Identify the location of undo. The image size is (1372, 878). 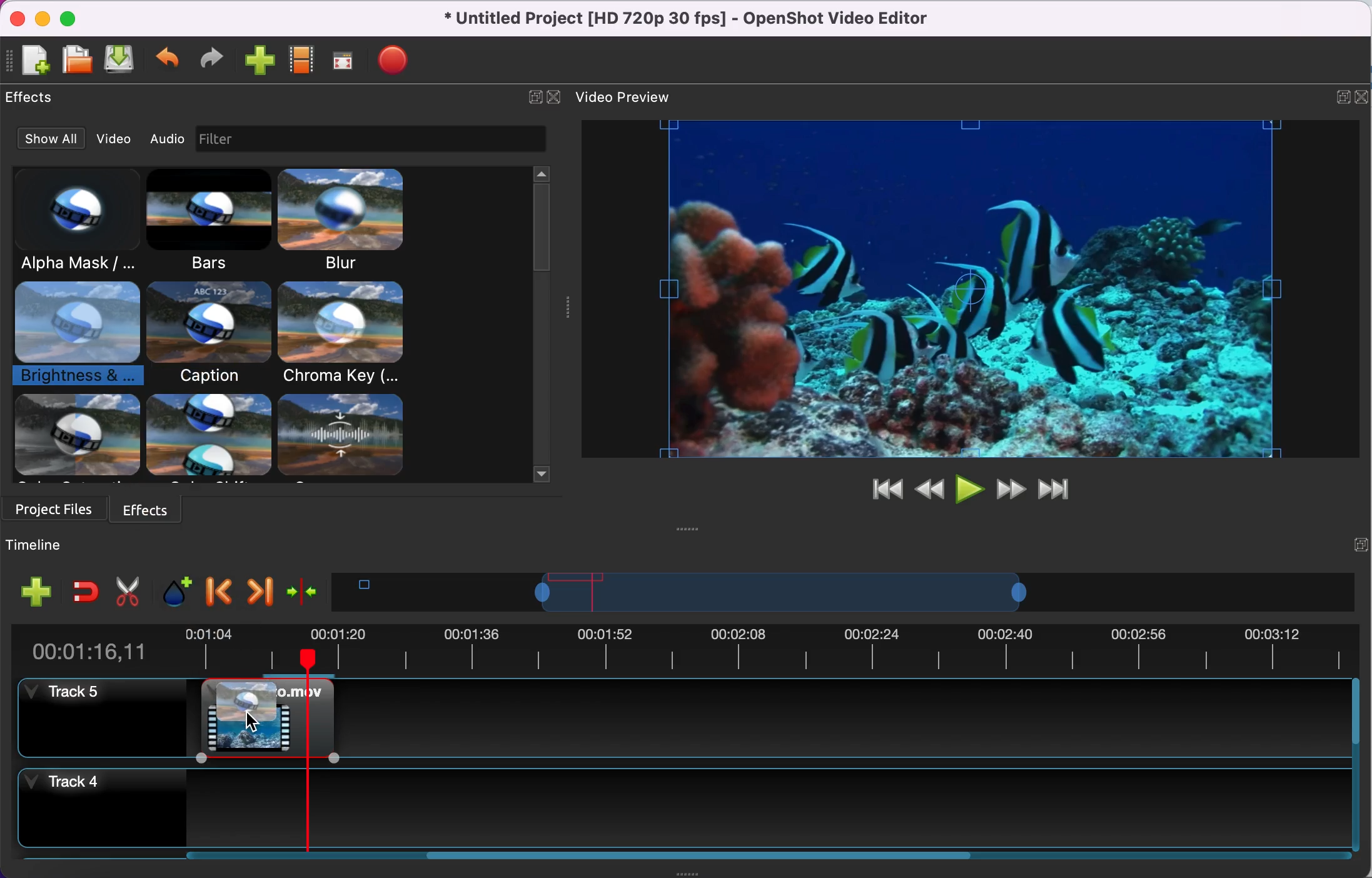
(169, 59).